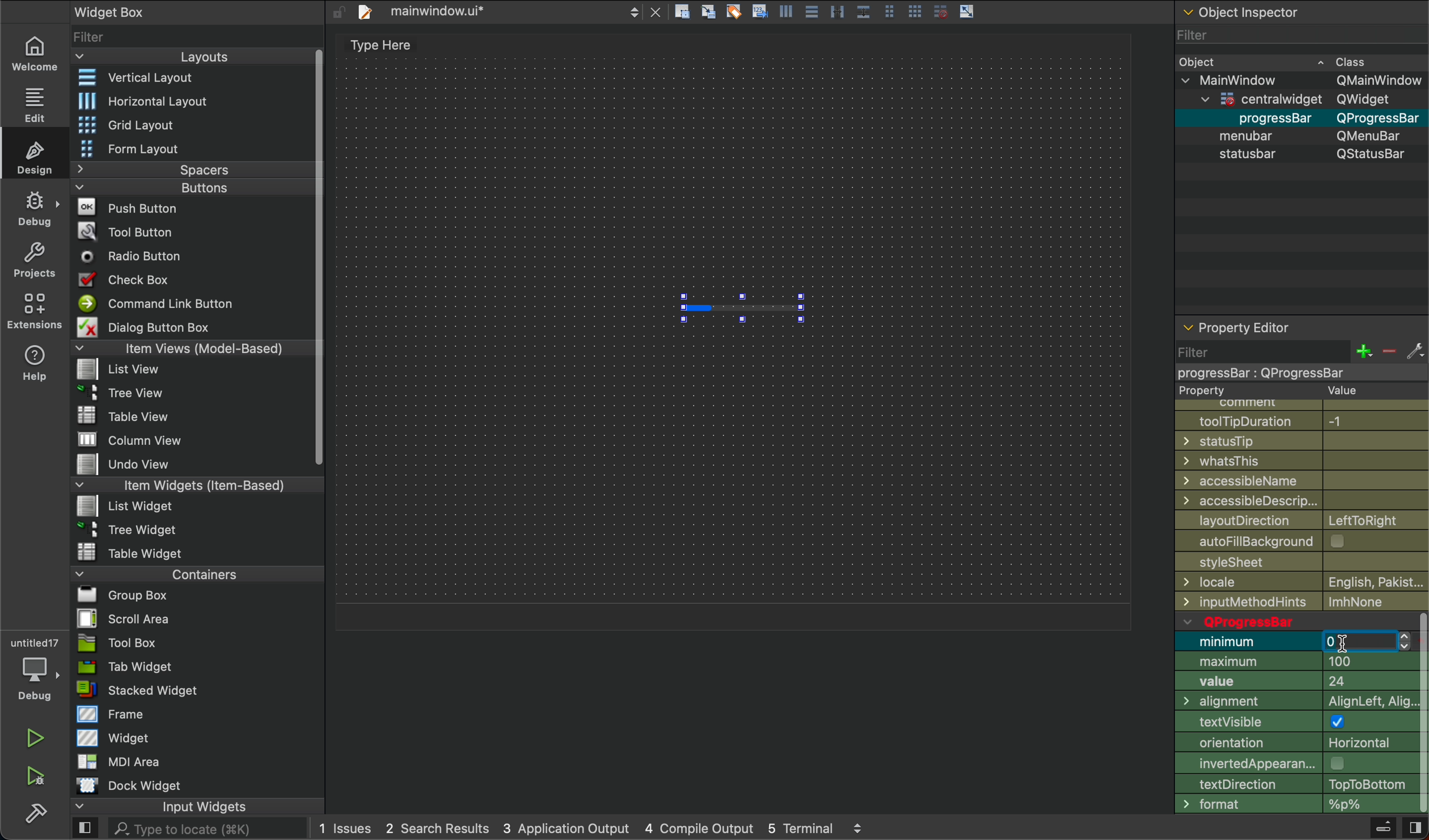  I want to click on Name Access, so click(1301, 481).